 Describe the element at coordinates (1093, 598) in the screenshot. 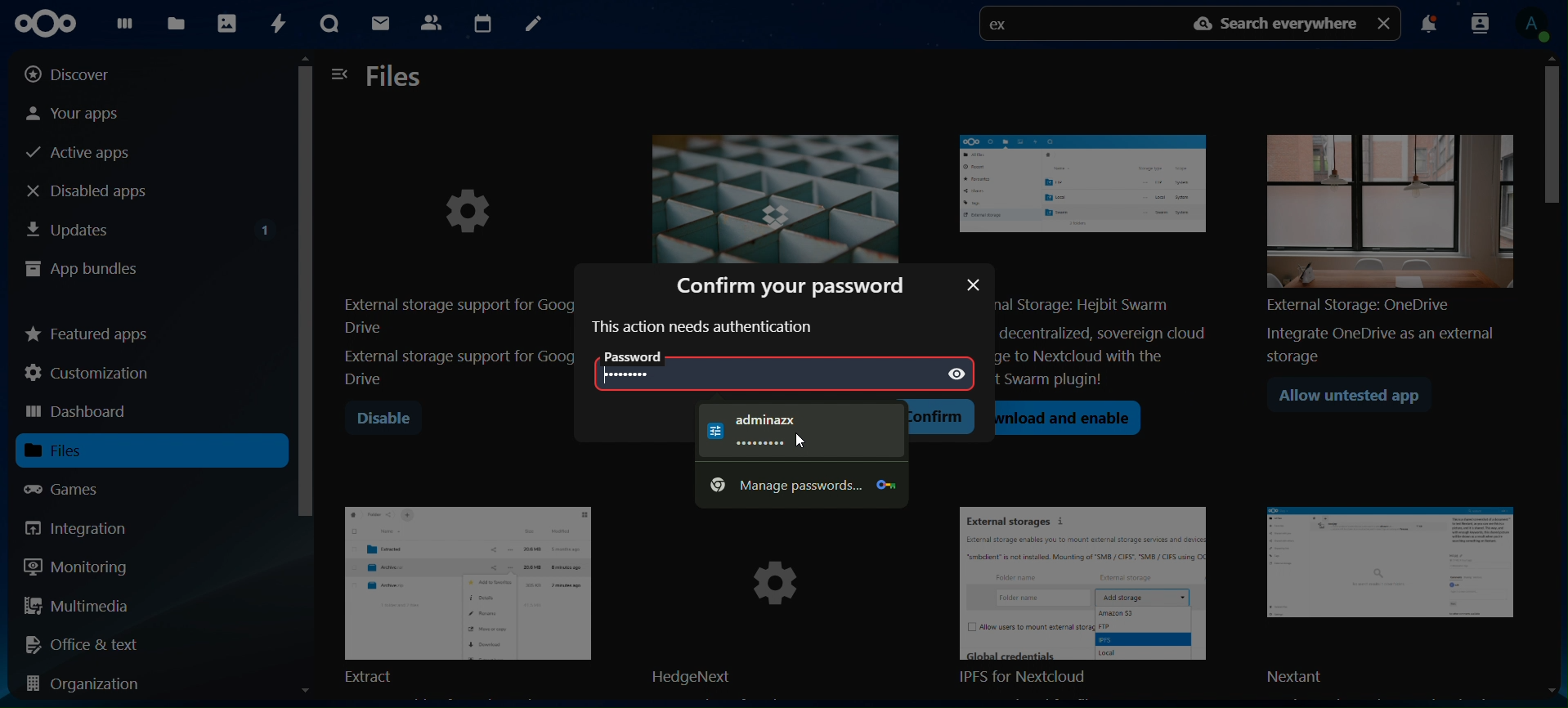

I see `IPFS for nextcloud` at that location.